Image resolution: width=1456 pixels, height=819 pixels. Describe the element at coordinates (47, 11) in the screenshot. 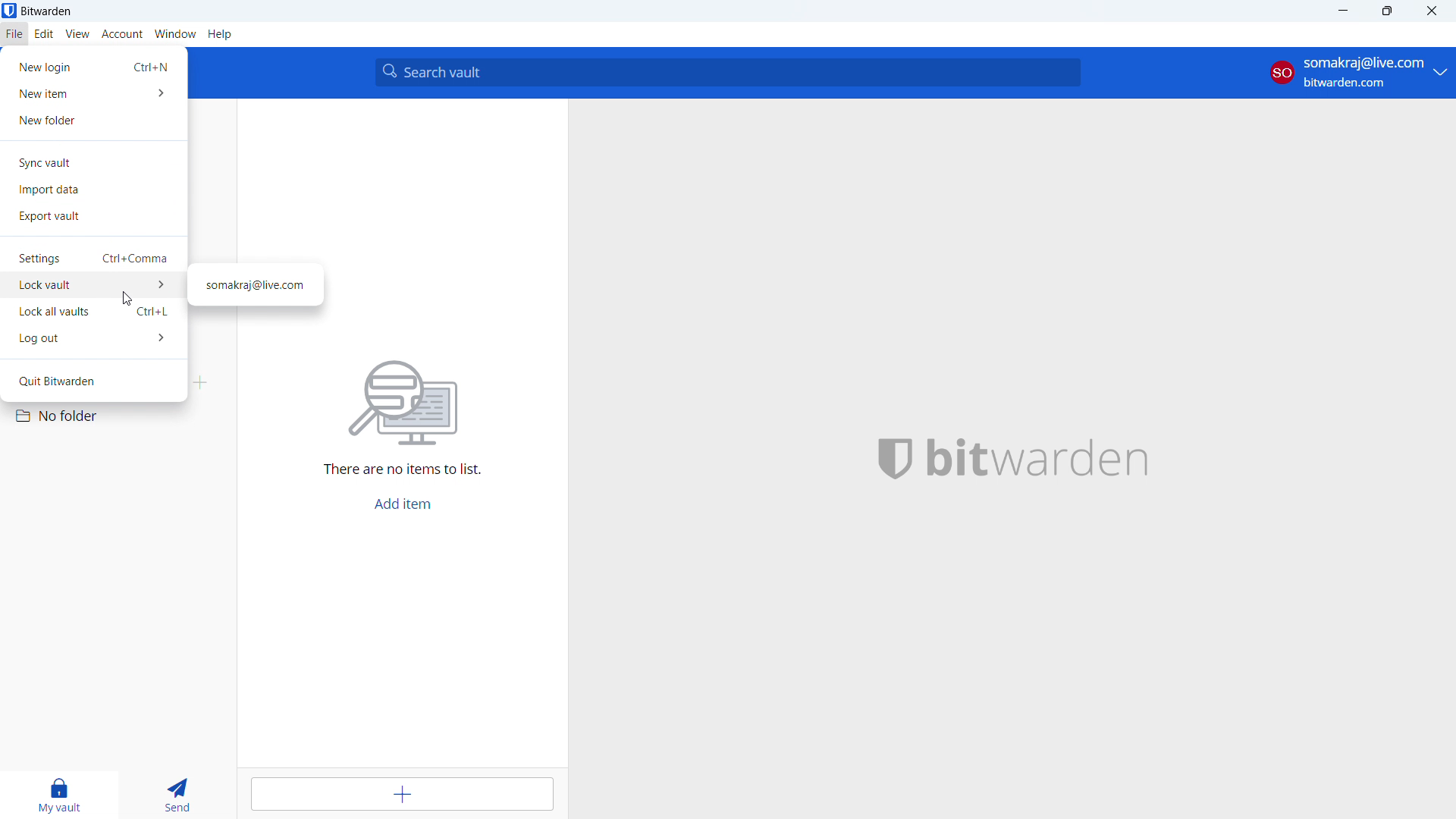

I see `title` at that location.